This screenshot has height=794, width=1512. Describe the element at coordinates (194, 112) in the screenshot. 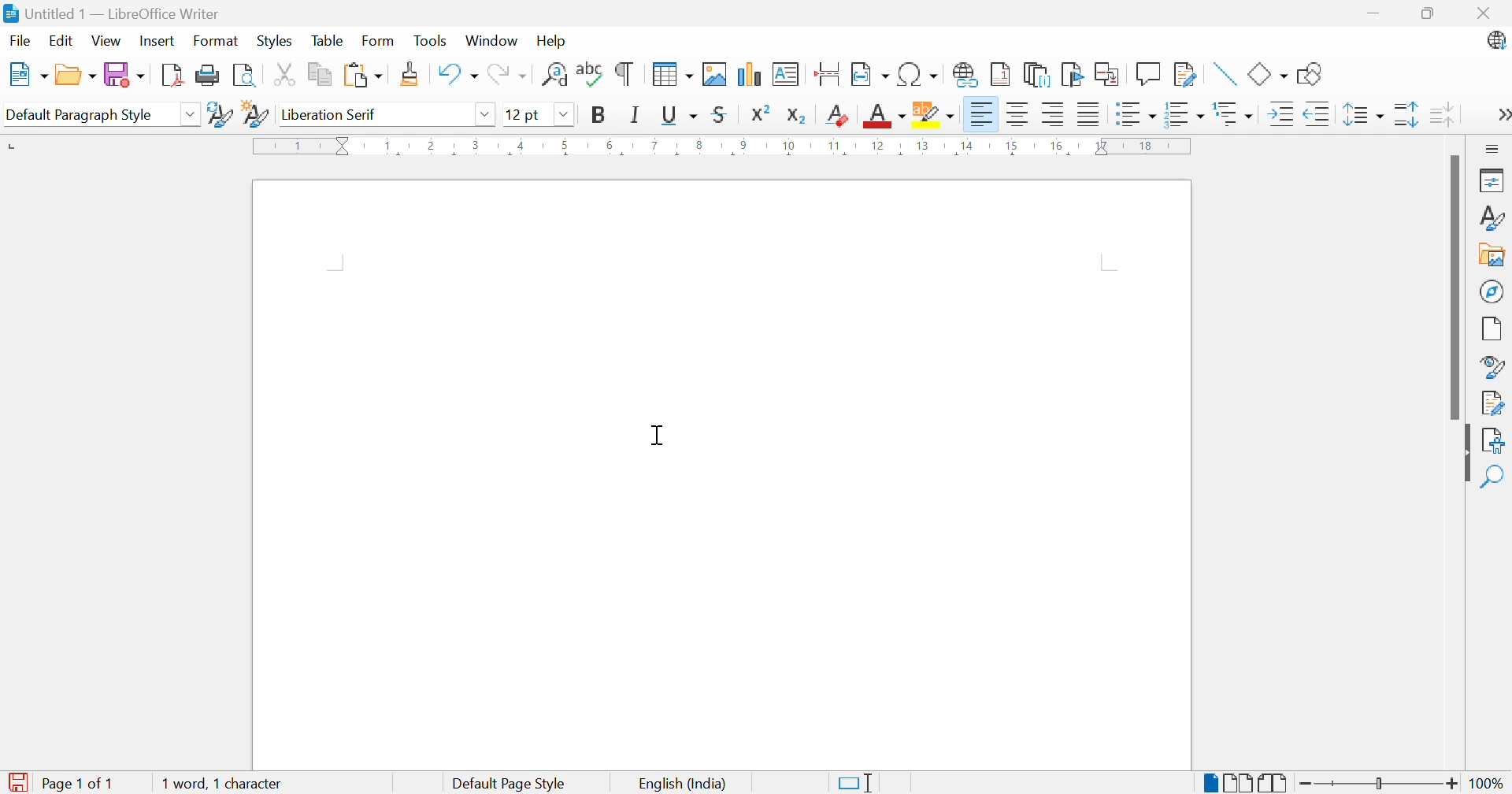

I see `Drop down` at that location.